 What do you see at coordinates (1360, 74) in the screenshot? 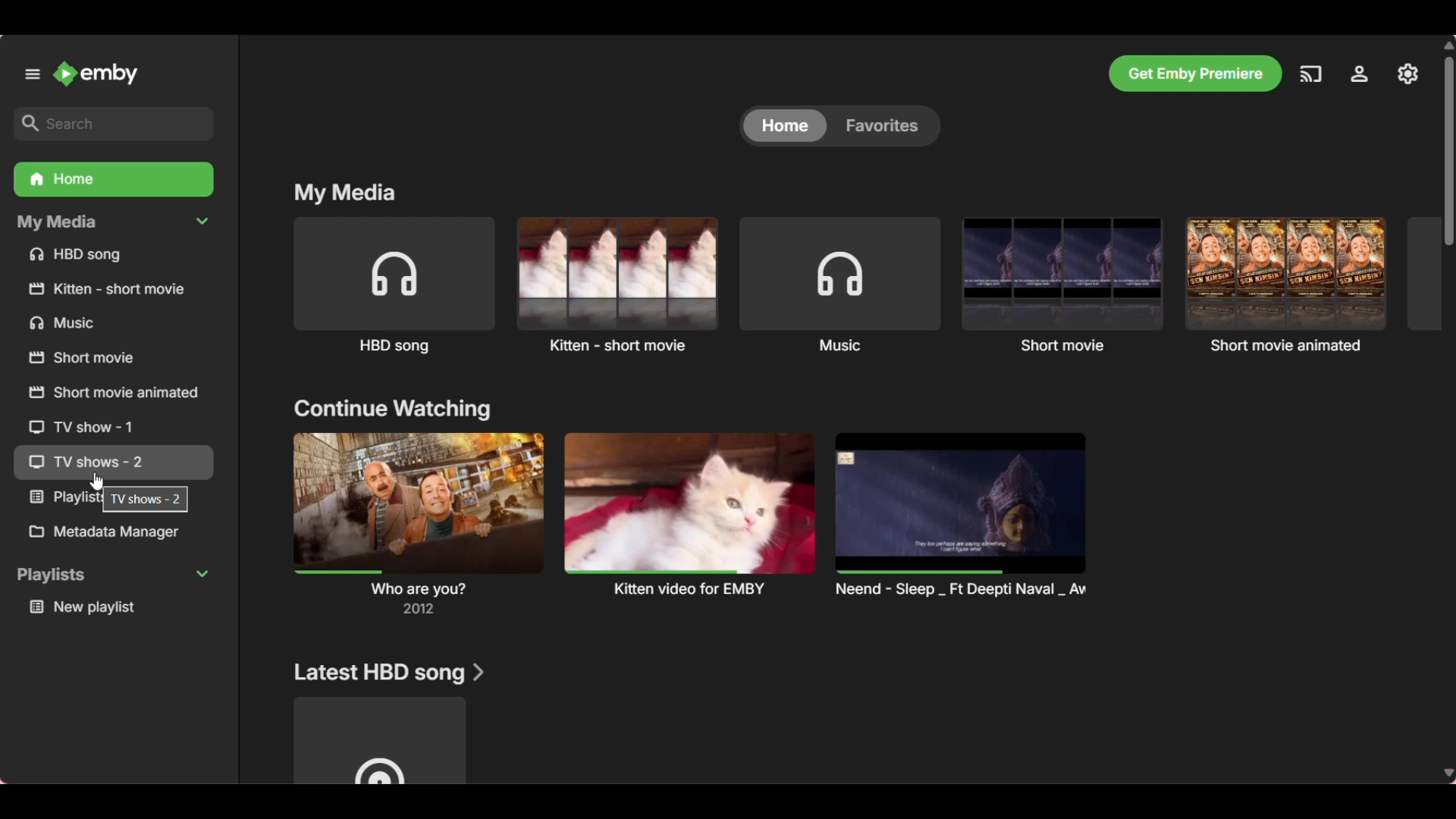
I see `Settings ` at bounding box center [1360, 74].